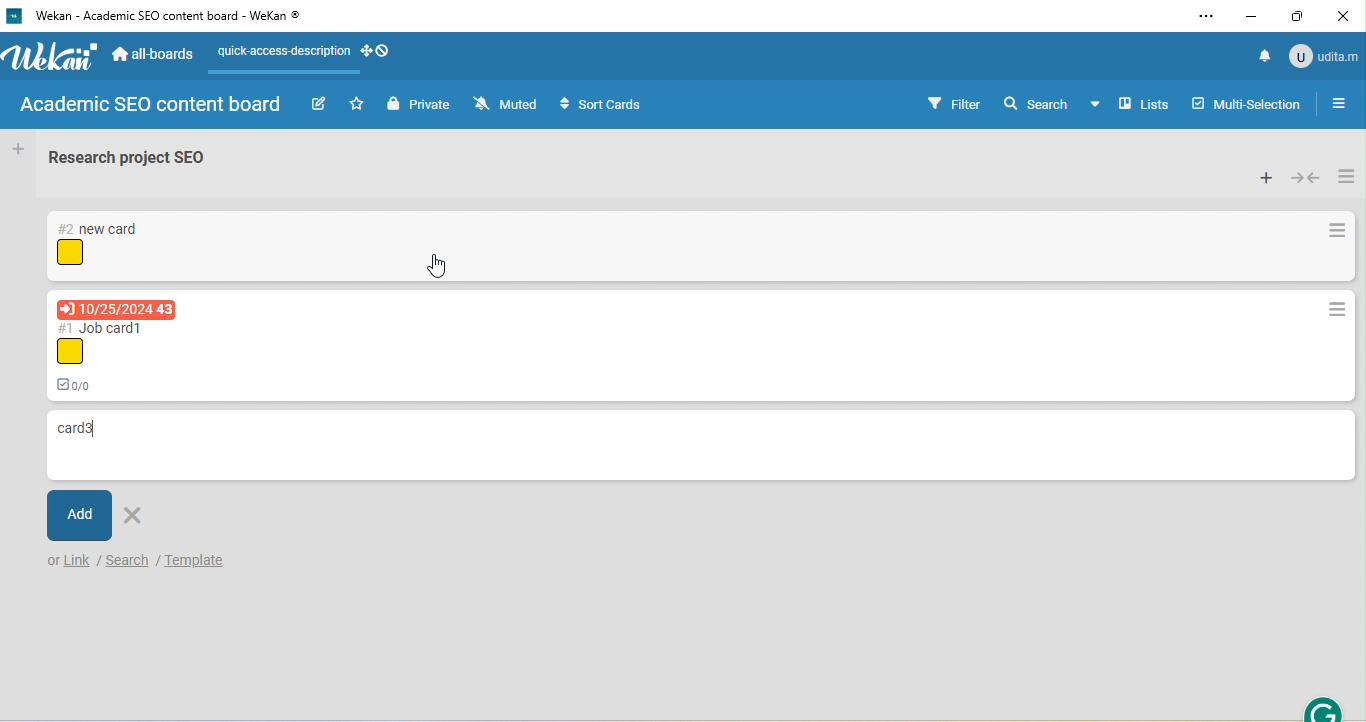  Describe the element at coordinates (116, 308) in the screenshot. I see `due date` at that location.